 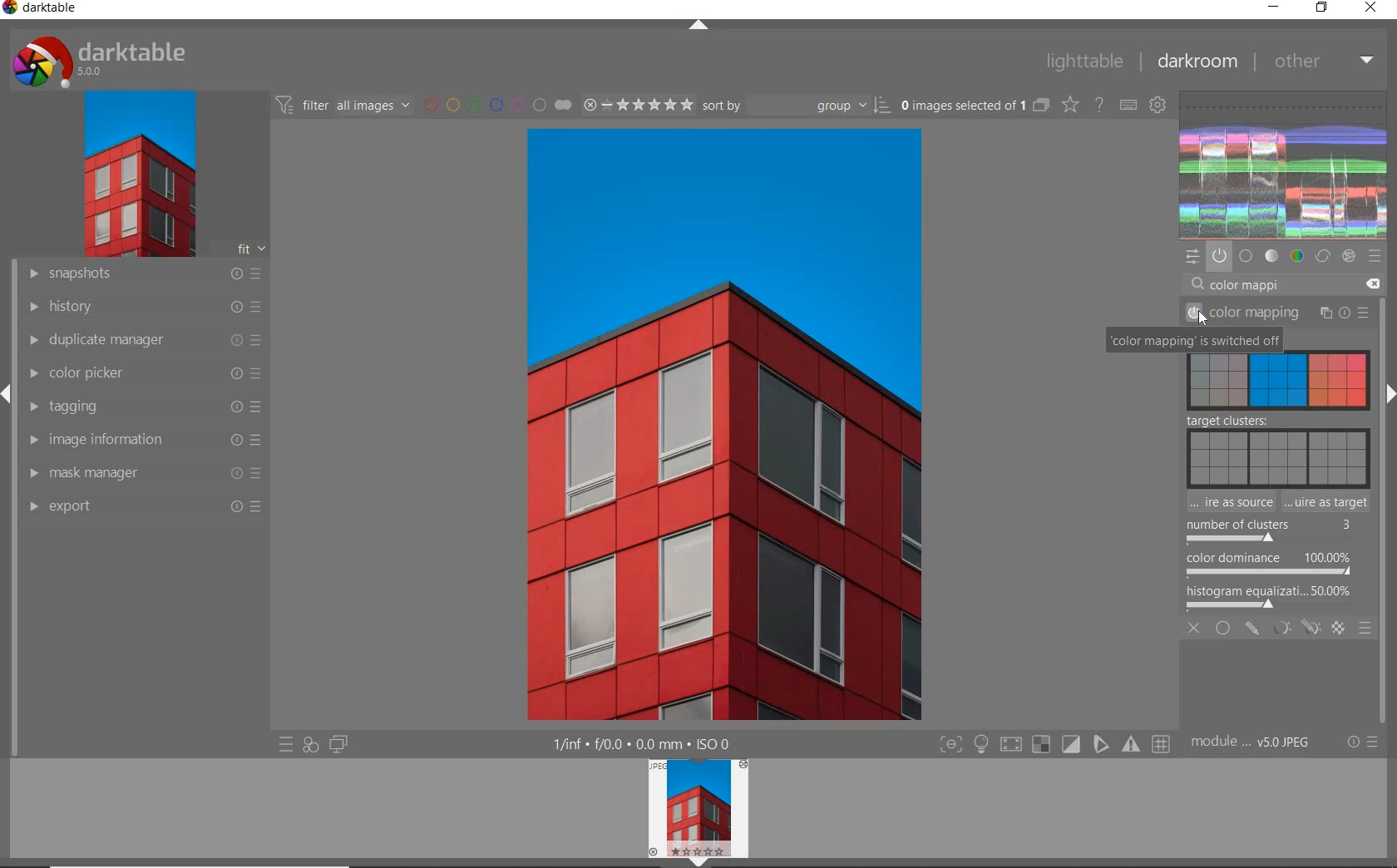 What do you see at coordinates (1322, 62) in the screenshot?
I see `other` at bounding box center [1322, 62].